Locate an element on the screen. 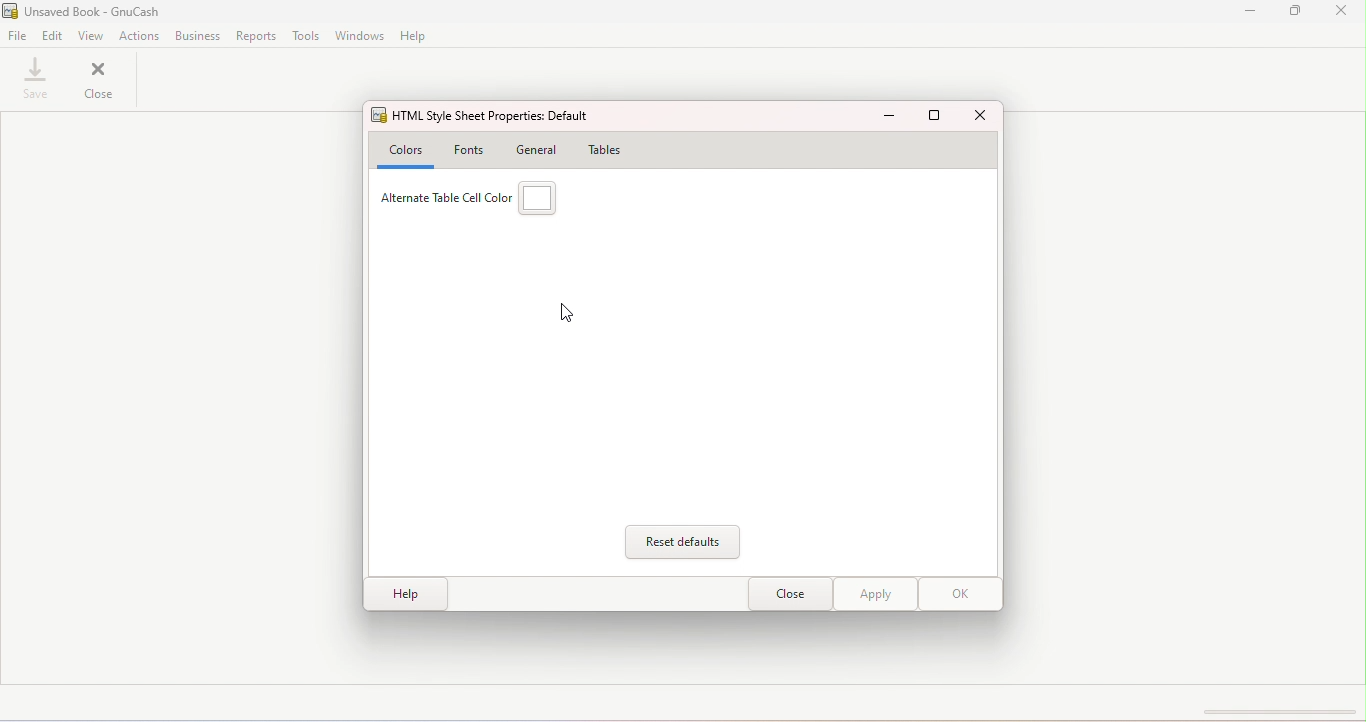  Maximize is located at coordinates (940, 116).